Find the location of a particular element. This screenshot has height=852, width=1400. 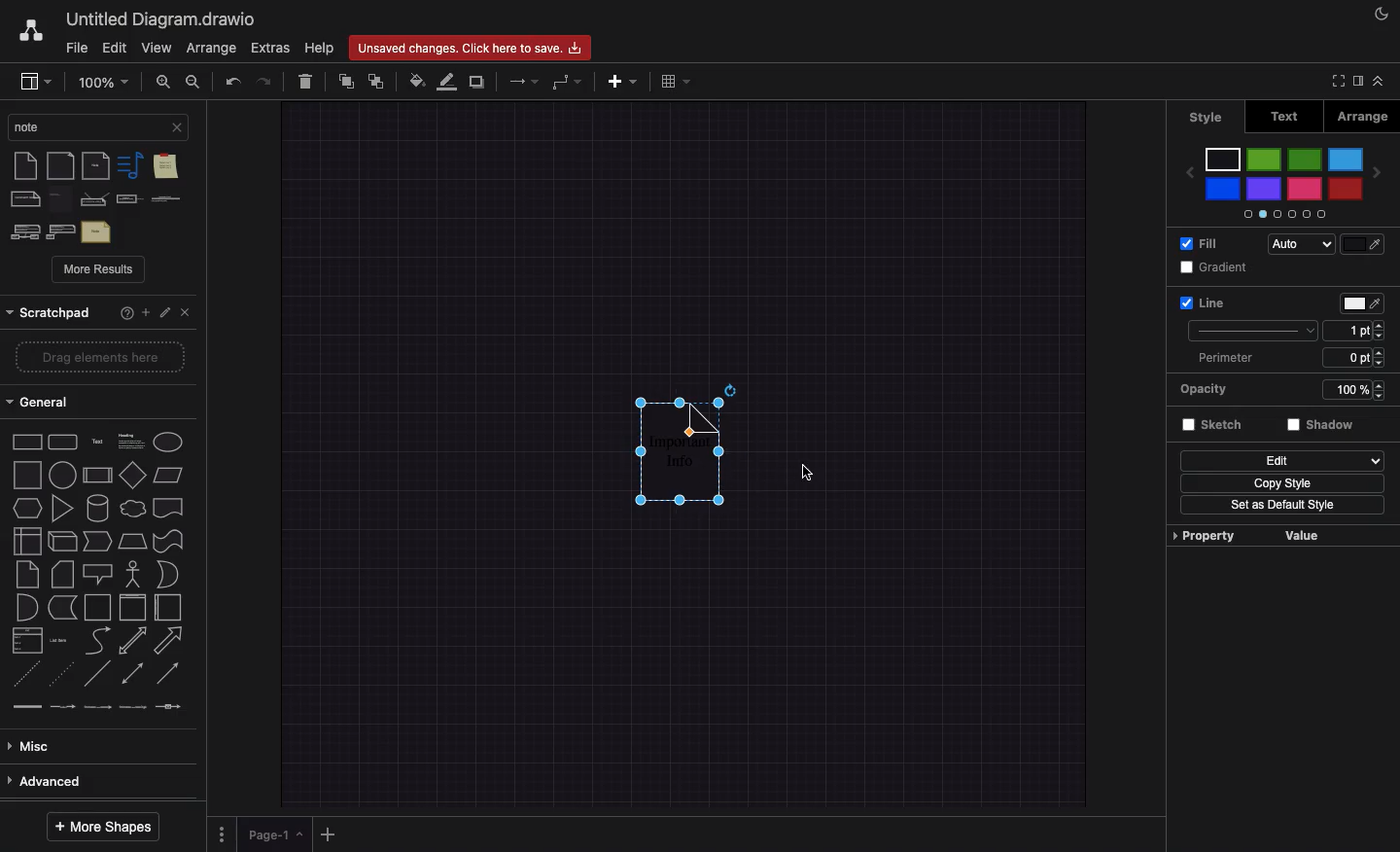

note is located at coordinates (128, 165).